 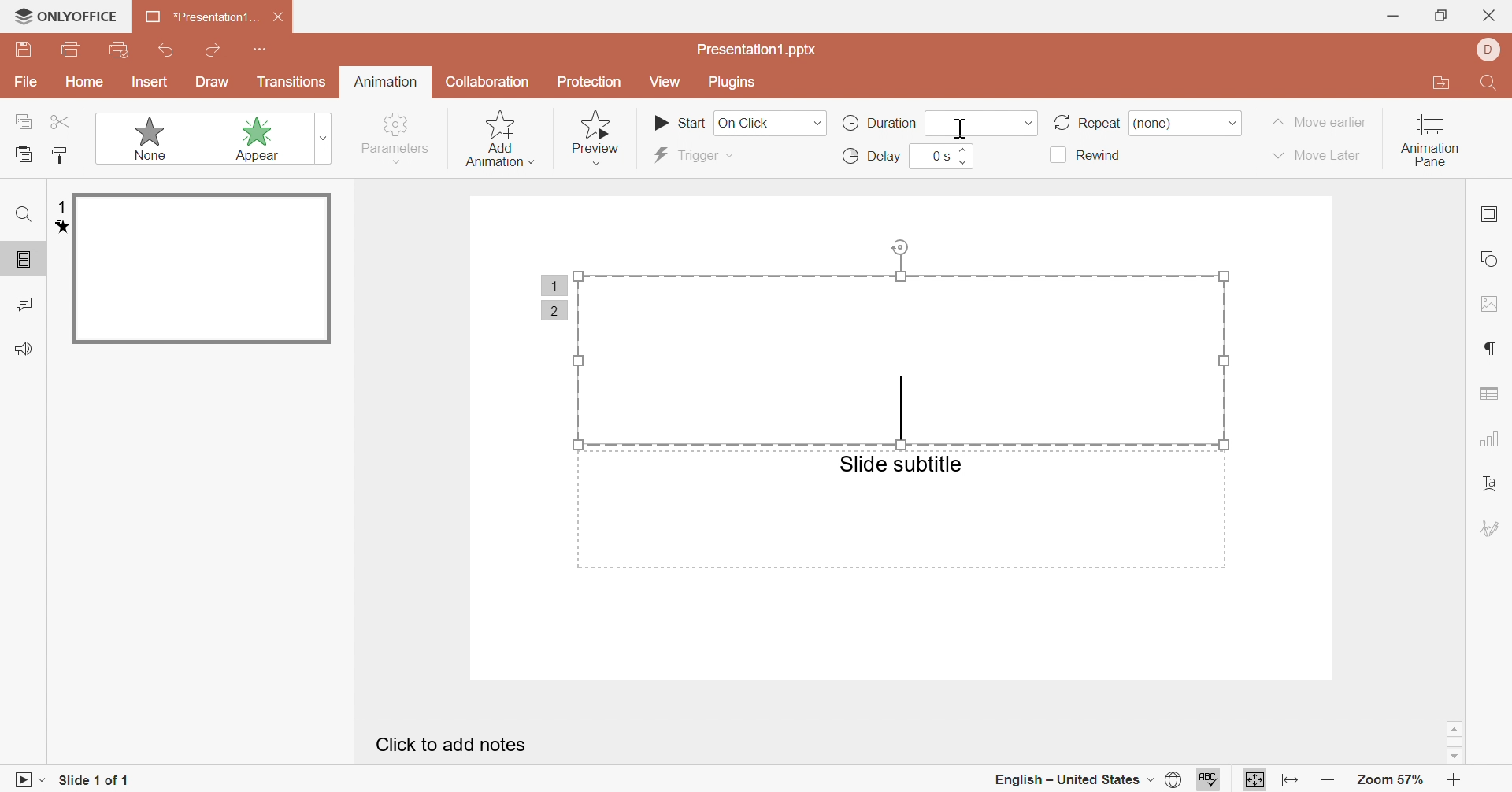 I want to click on start slideshow, so click(x=24, y=783).